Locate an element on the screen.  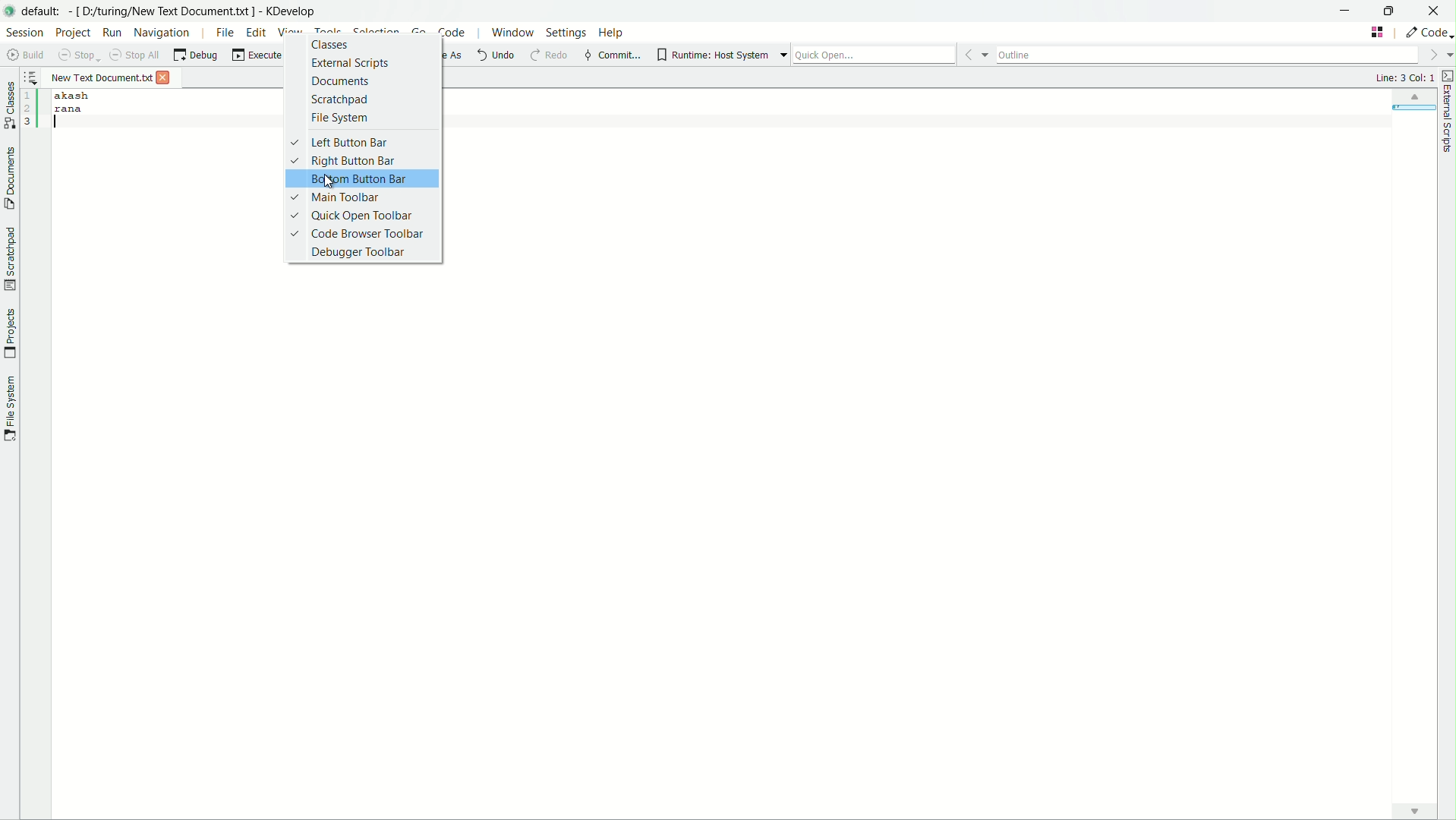
runtime host system is located at coordinates (712, 55).